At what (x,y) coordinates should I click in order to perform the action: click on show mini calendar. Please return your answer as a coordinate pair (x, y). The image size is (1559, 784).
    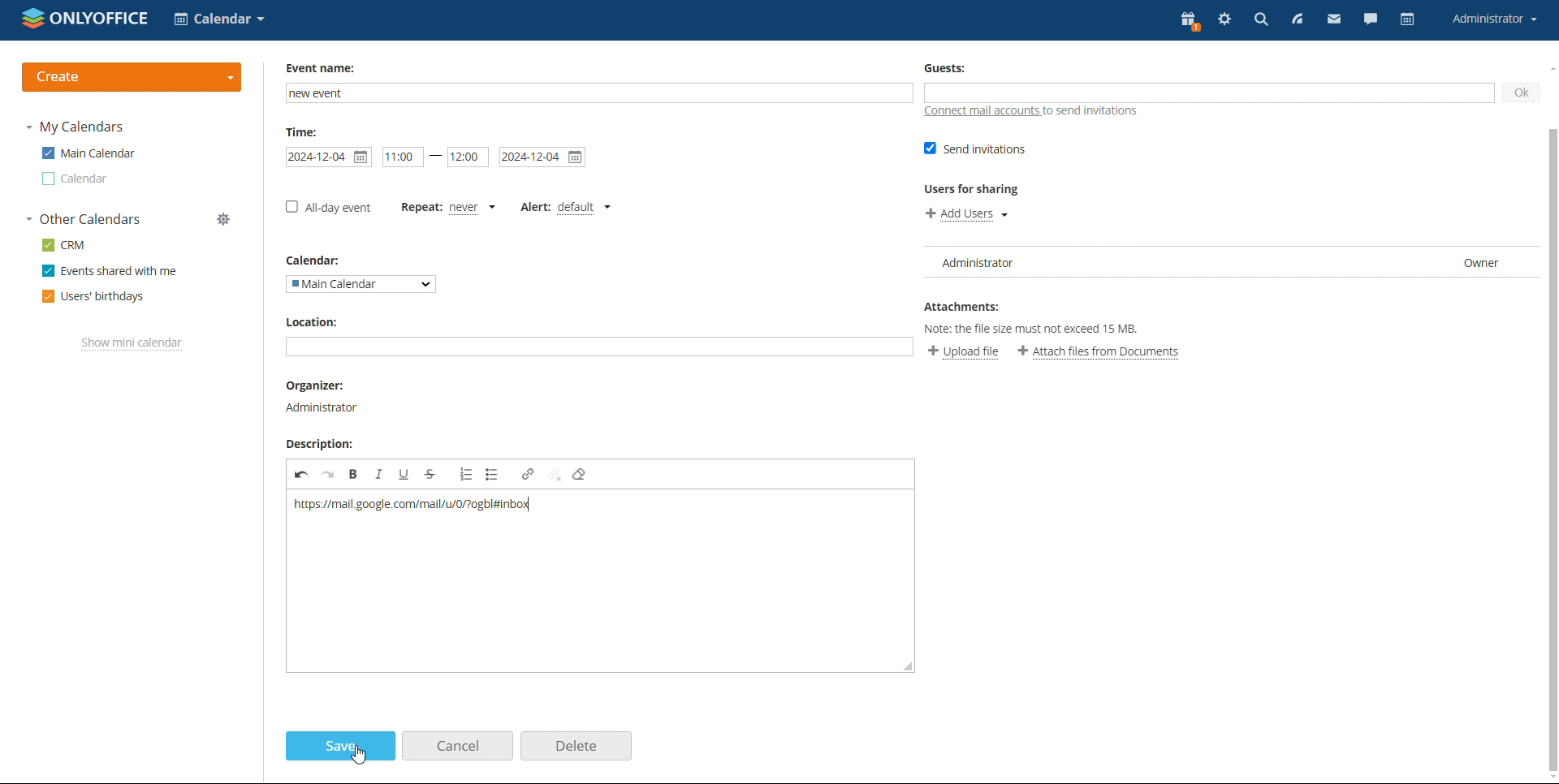
    Looking at the image, I should click on (132, 344).